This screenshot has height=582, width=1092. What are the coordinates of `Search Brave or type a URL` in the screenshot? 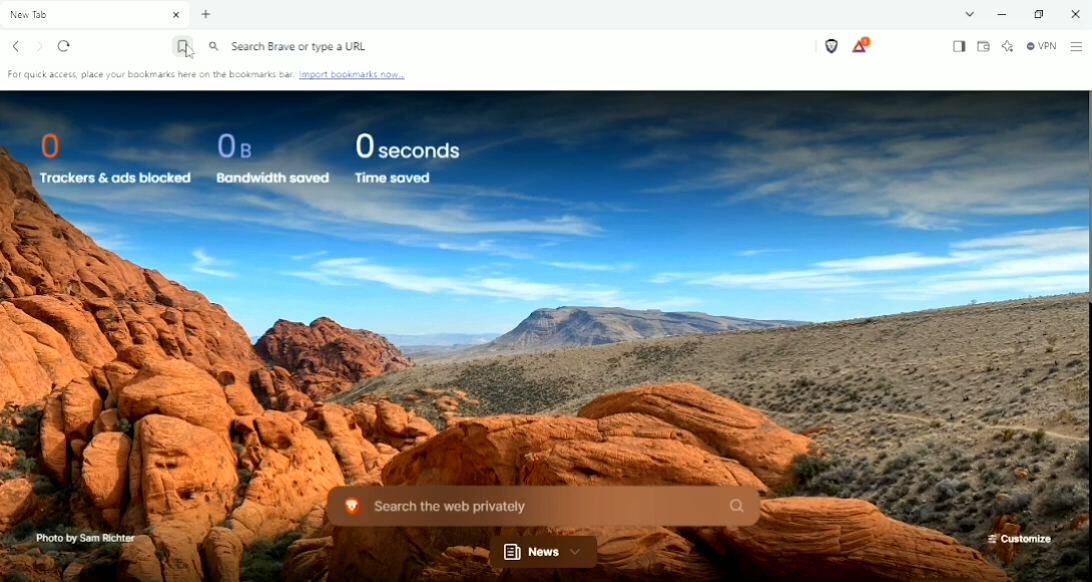 It's located at (290, 47).